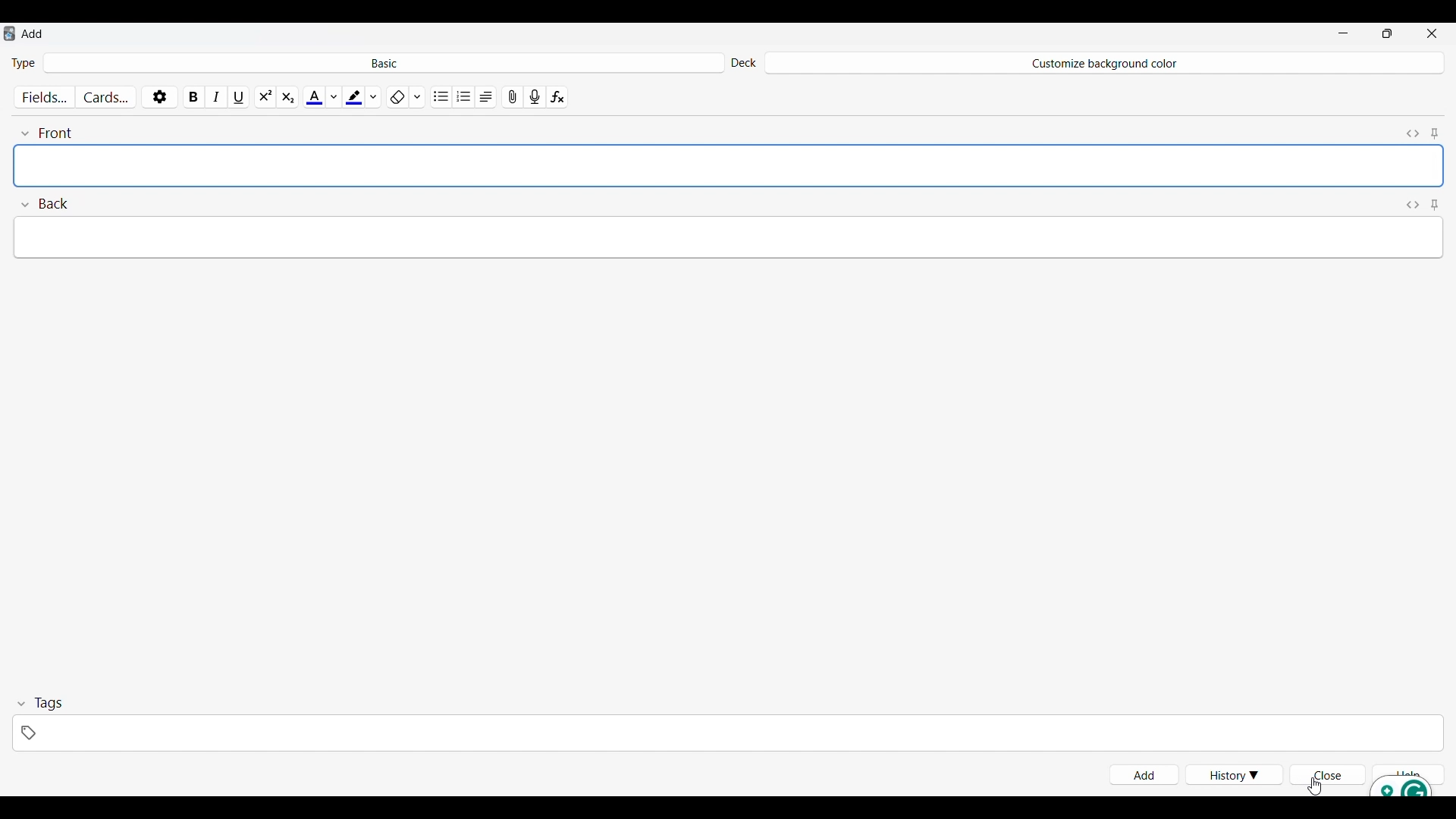 This screenshot has height=819, width=1456. I want to click on Record audio, so click(535, 95).